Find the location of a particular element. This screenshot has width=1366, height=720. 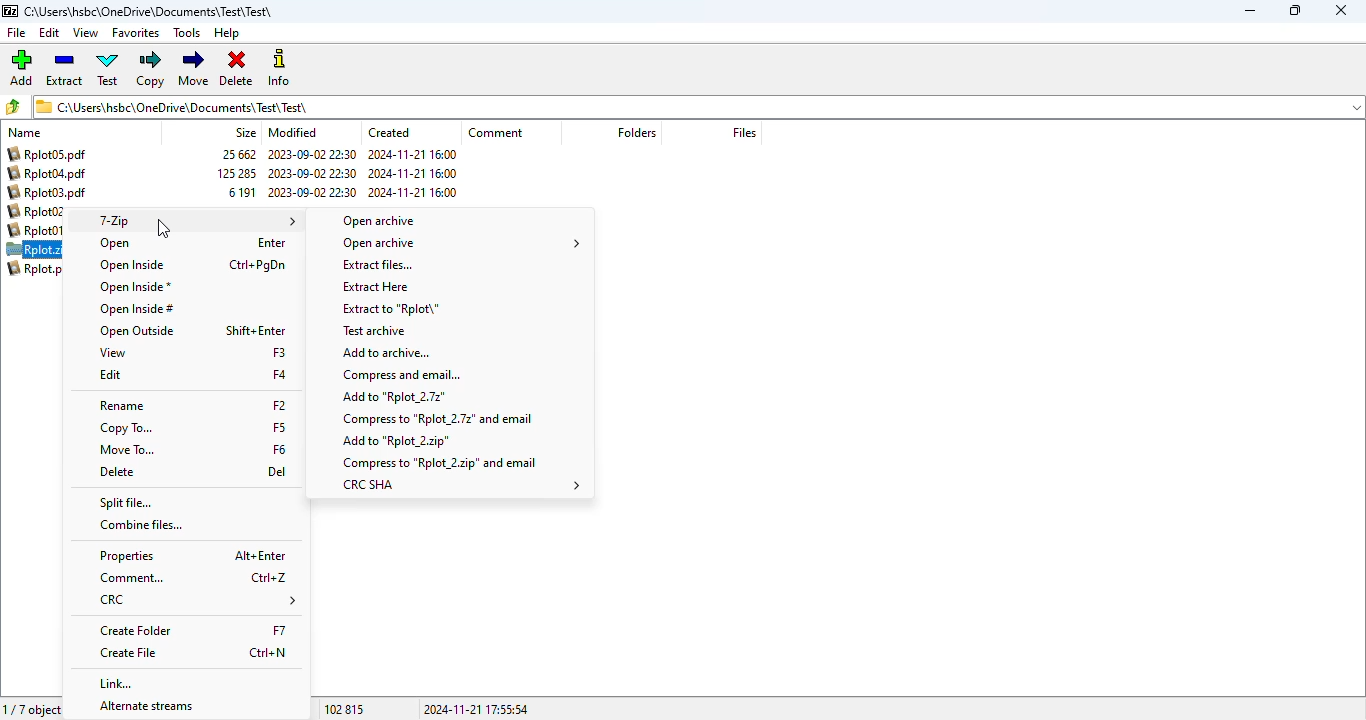

compress and email is located at coordinates (401, 374).